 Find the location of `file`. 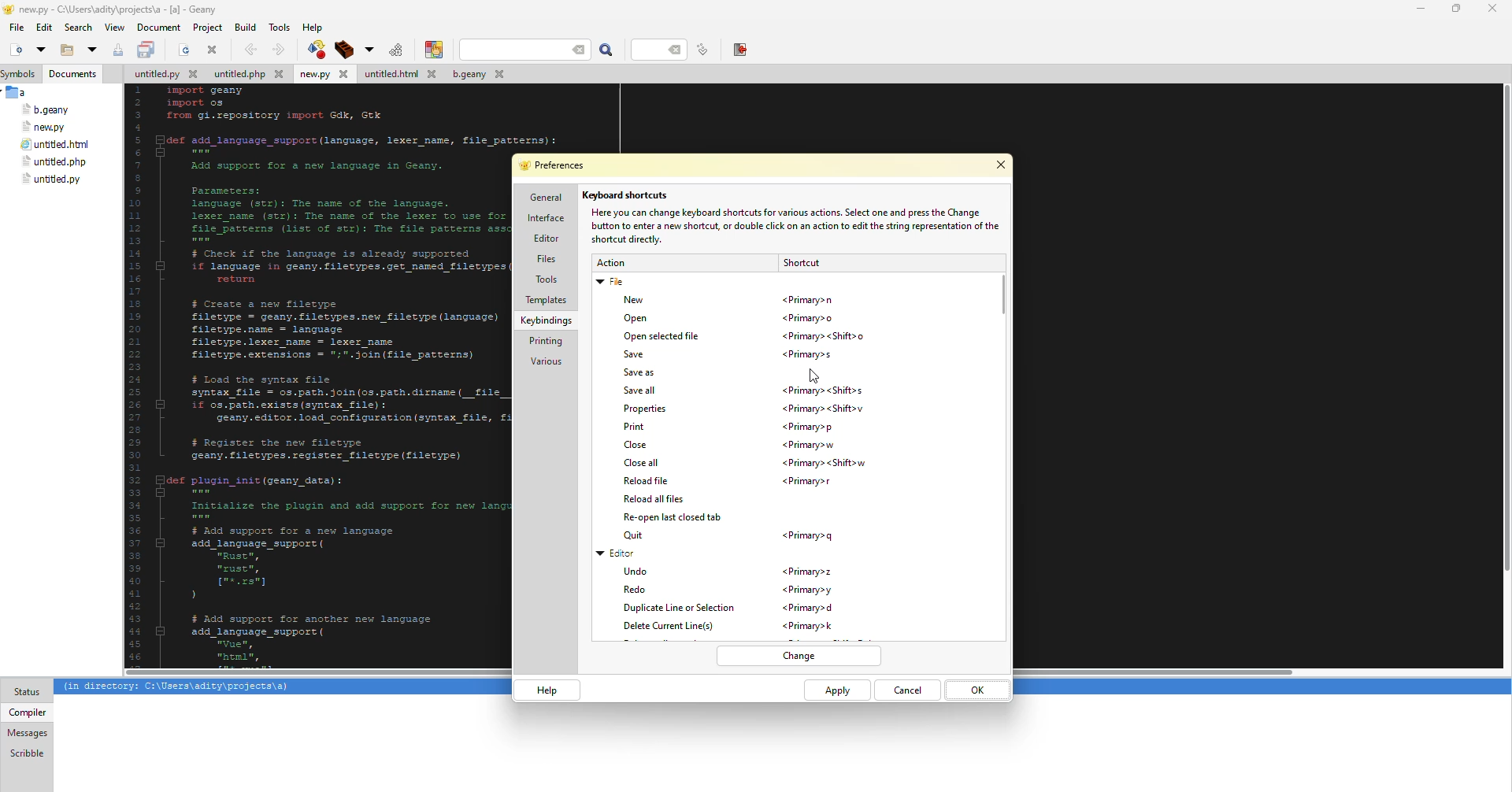

file is located at coordinates (476, 76).